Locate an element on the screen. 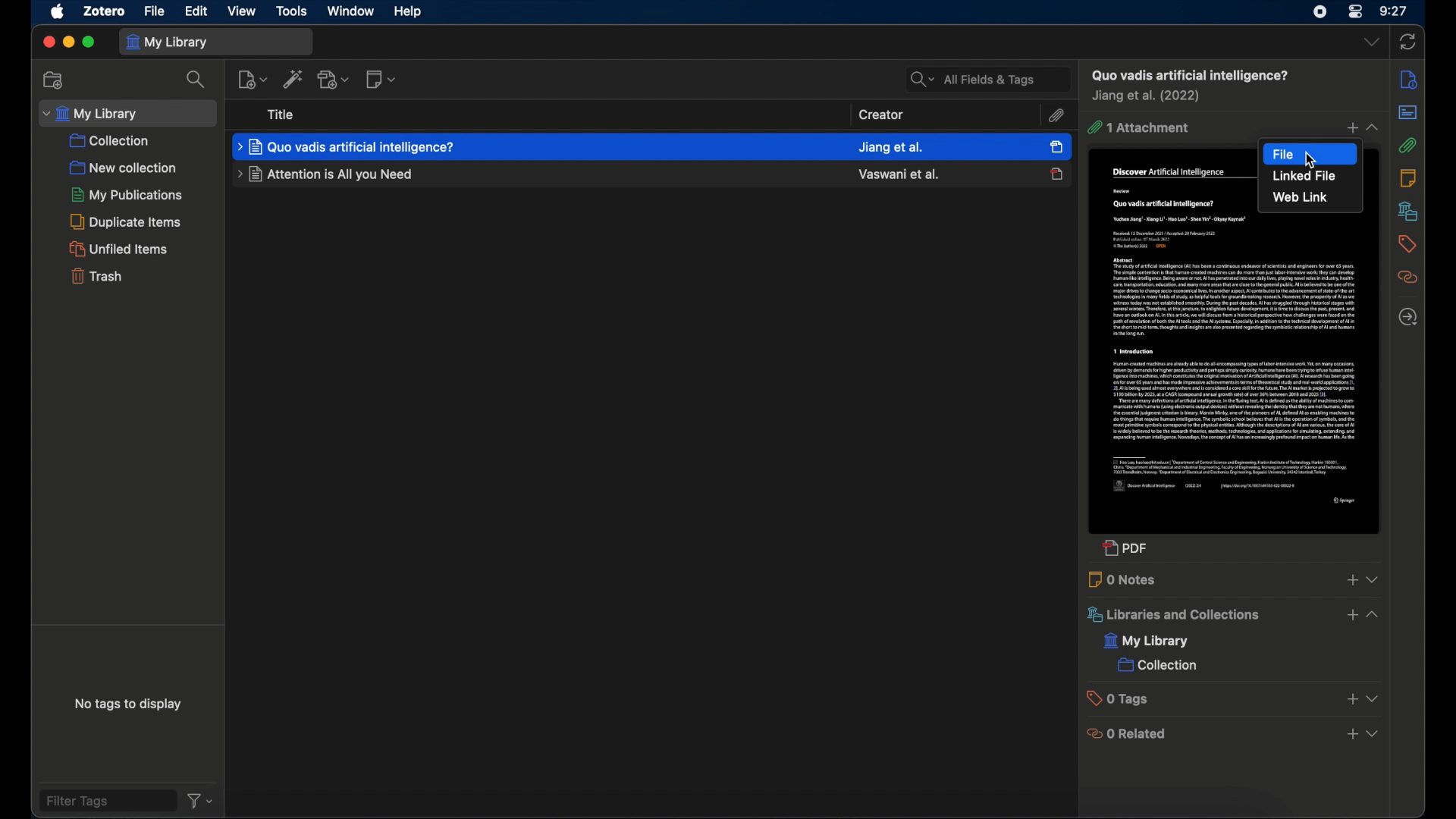 The height and width of the screenshot is (819, 1456). add is located at coordinates (1349, 129).